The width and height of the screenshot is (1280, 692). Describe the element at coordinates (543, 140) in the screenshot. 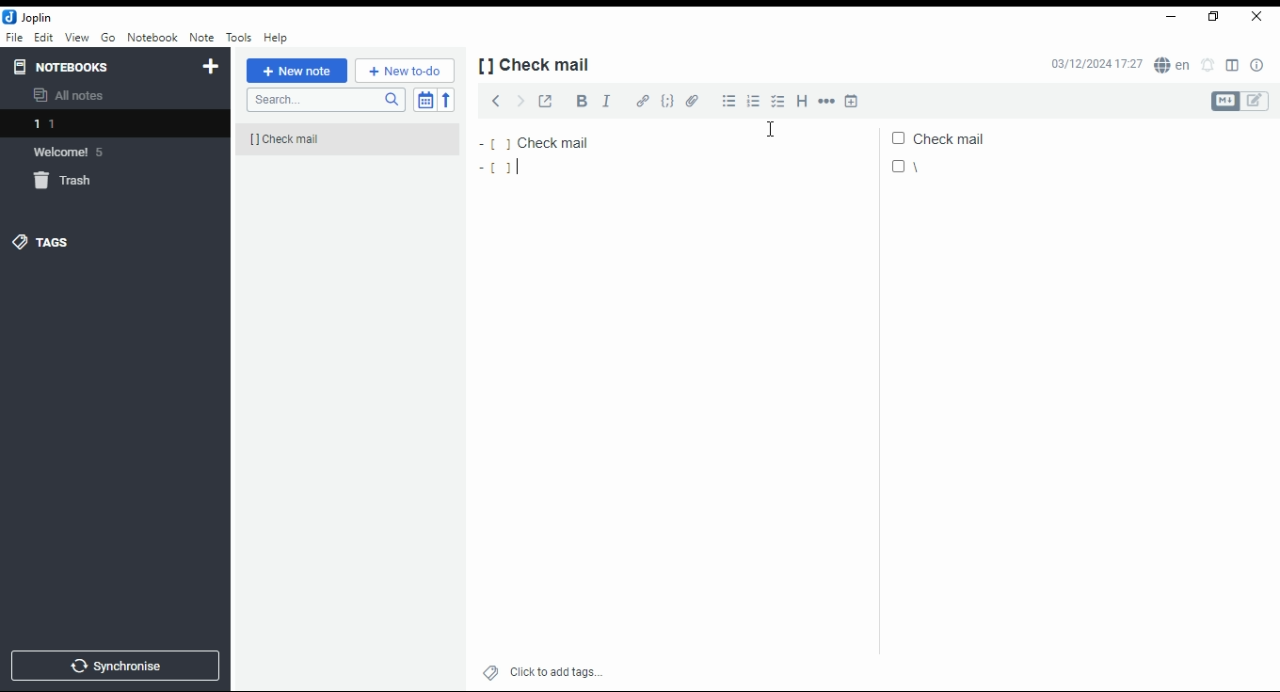

I see `check mail` at that location.